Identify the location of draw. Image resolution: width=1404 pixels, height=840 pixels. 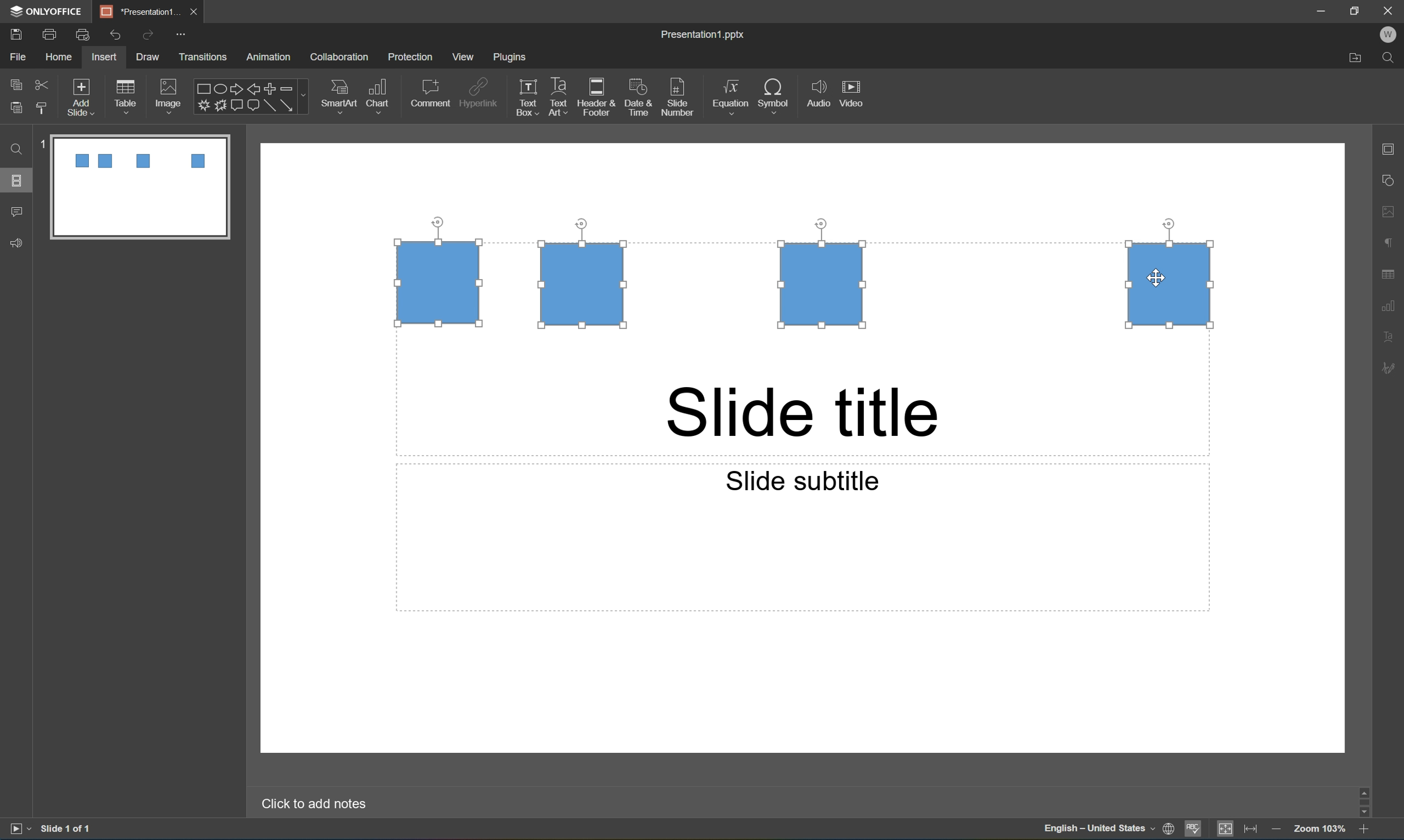
(145, 57).